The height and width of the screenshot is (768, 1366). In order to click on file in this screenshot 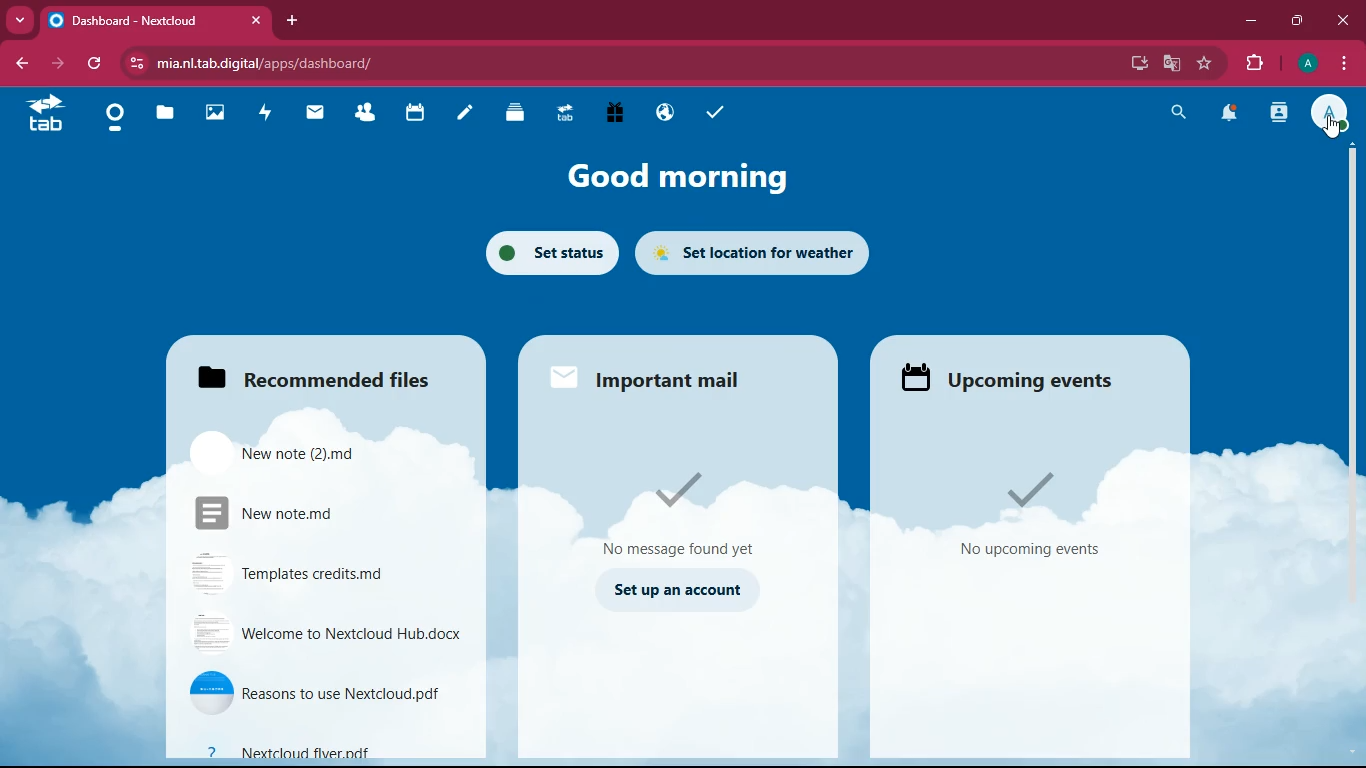, I will do `click(312, 509)`.